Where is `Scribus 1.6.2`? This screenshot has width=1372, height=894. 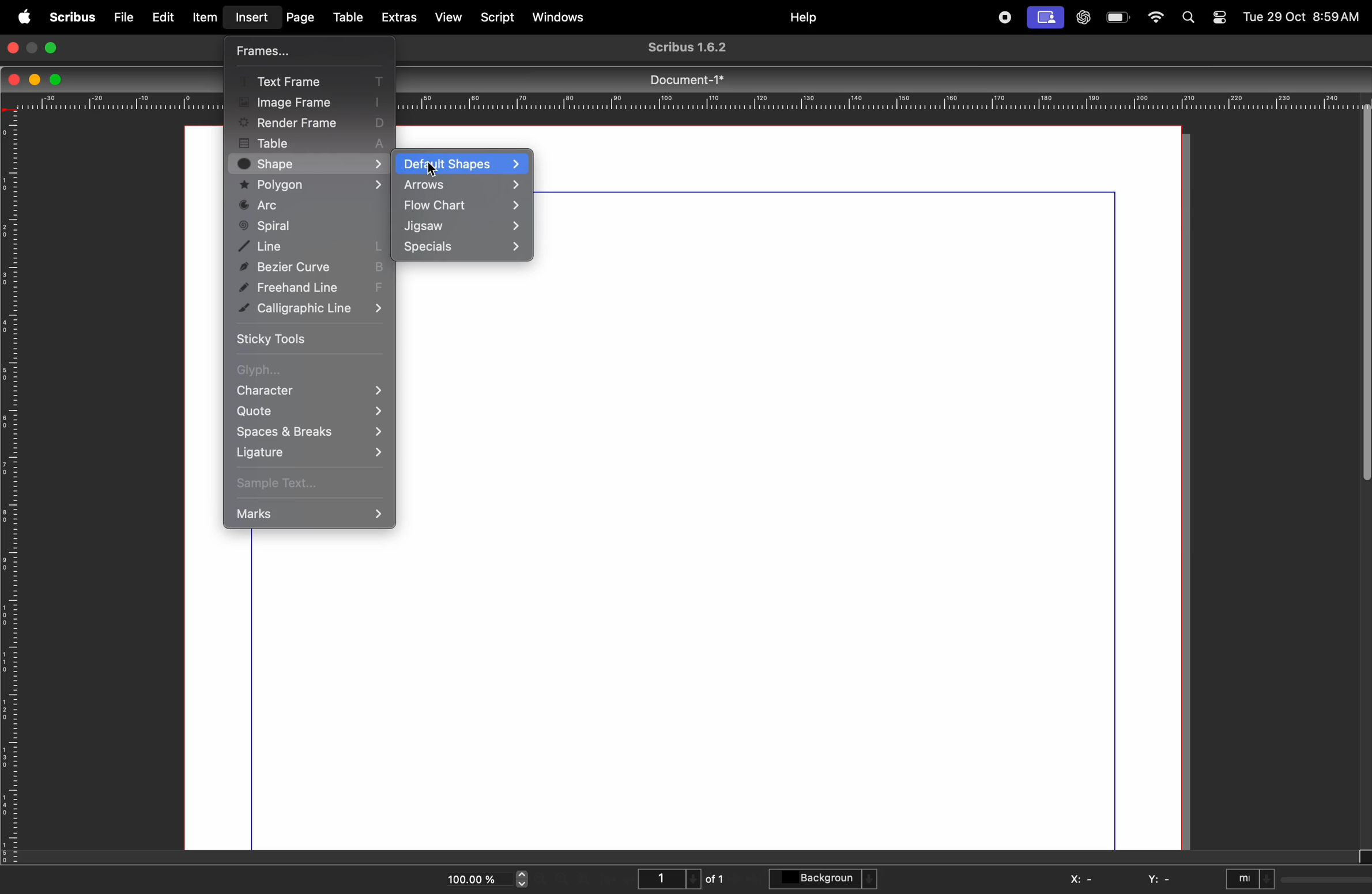 Scribus 1.6.2 is located at coordinates (693, 48).